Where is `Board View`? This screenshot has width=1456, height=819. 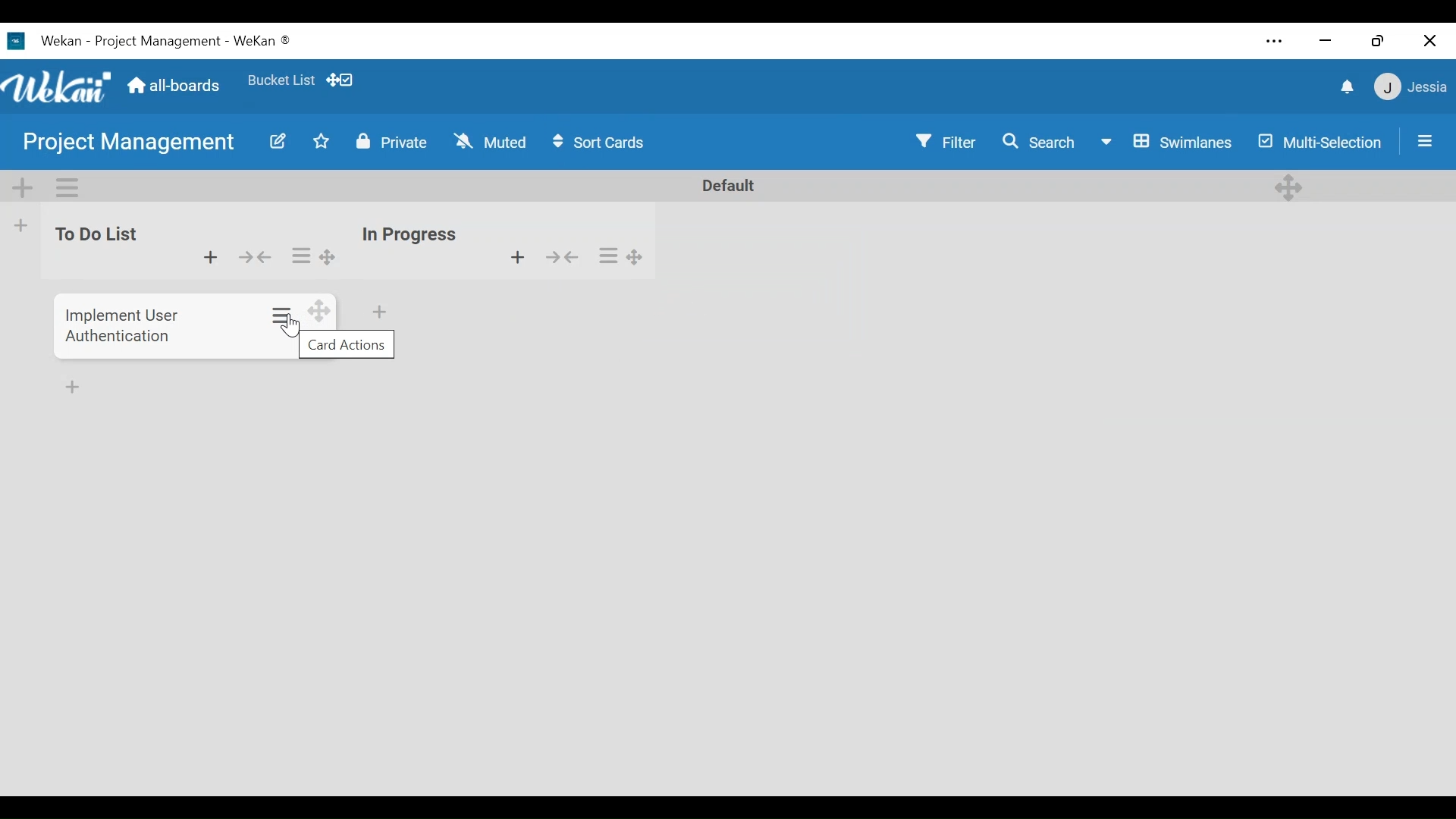
Board View is located at coordinates (1169, 143).